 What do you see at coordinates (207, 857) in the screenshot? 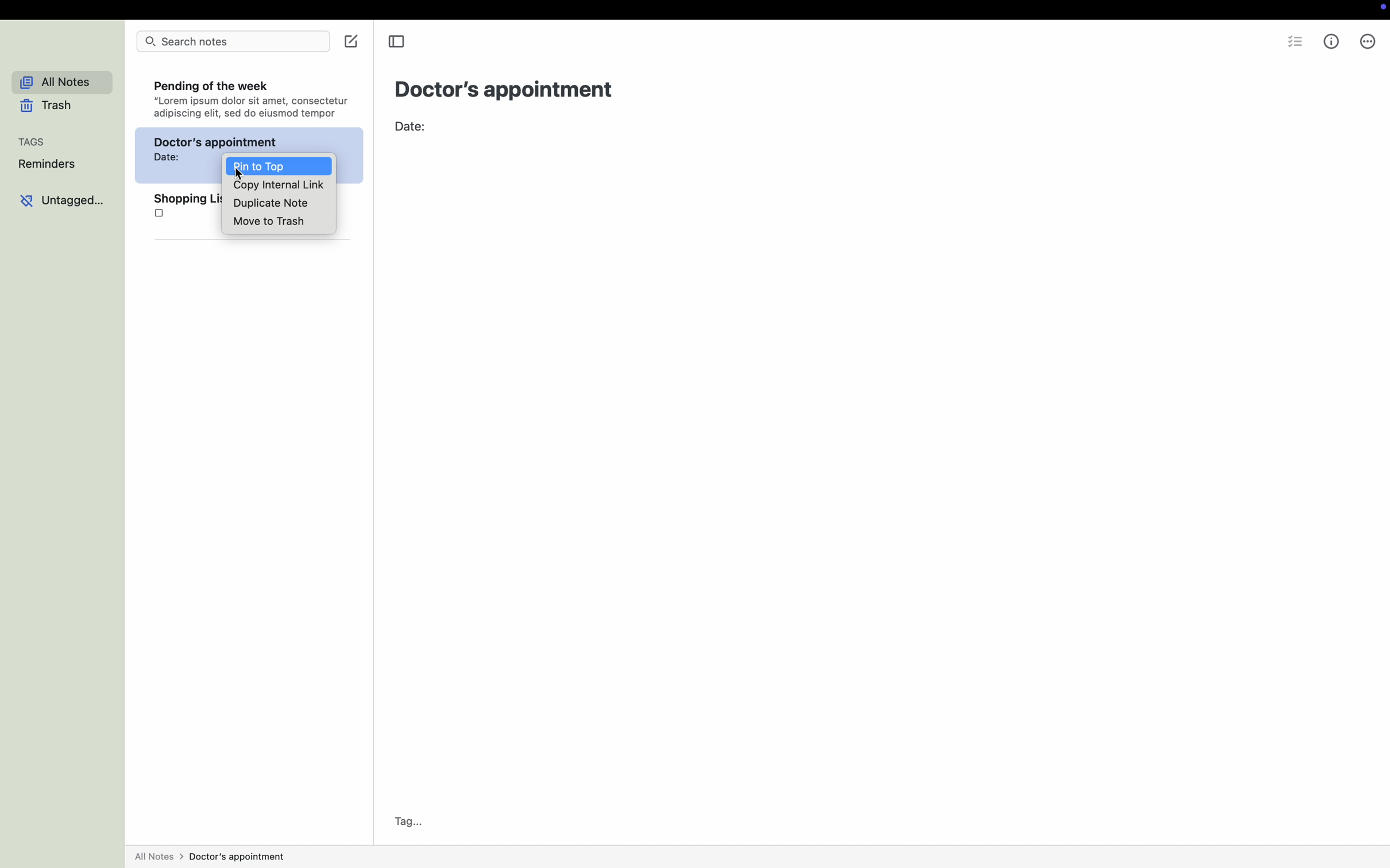
I see `all notes > pending of the week` at bounding box center [207, 857].